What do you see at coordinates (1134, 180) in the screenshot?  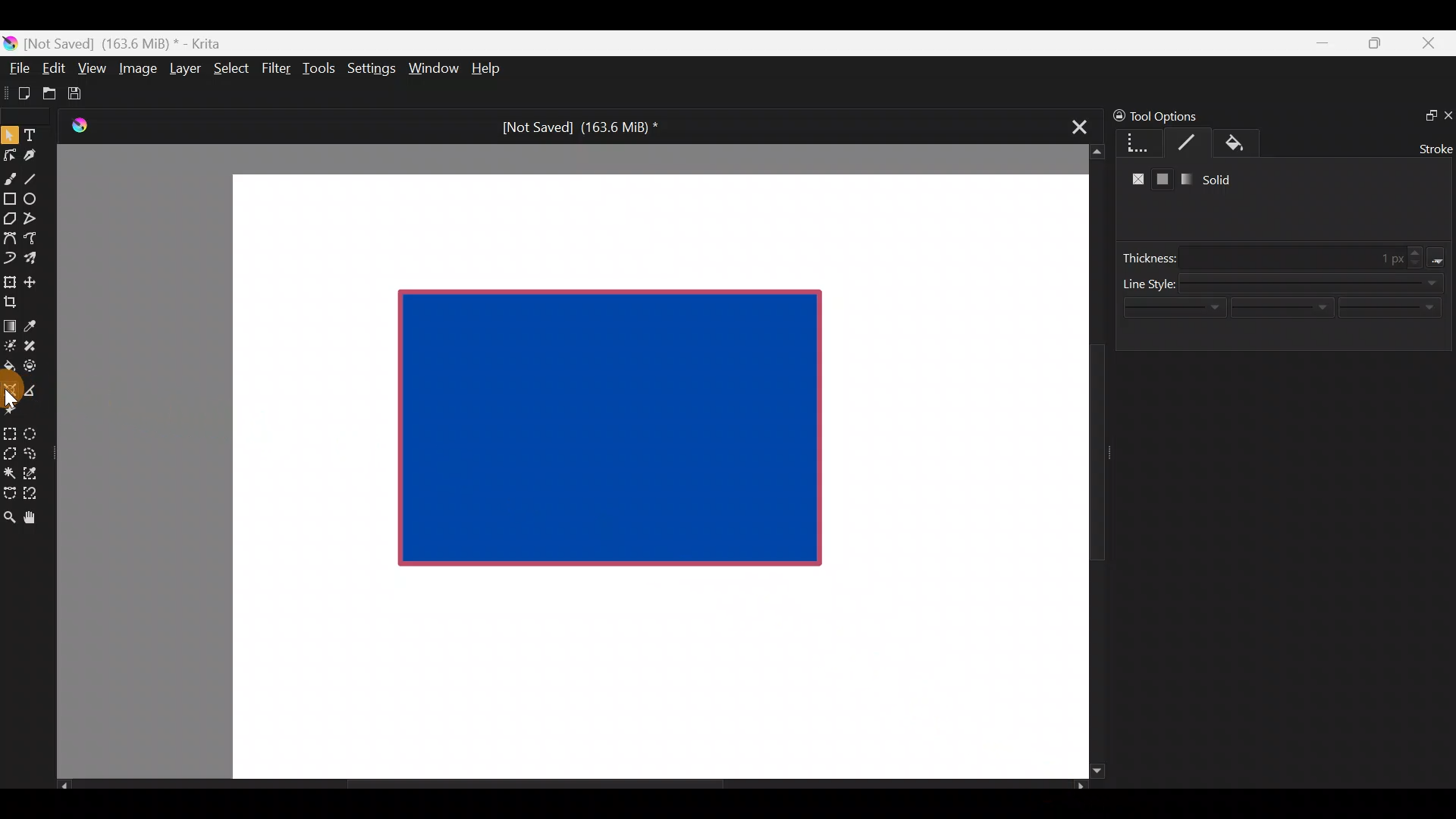 I see `No fill` at bounding box center [1134, 180].